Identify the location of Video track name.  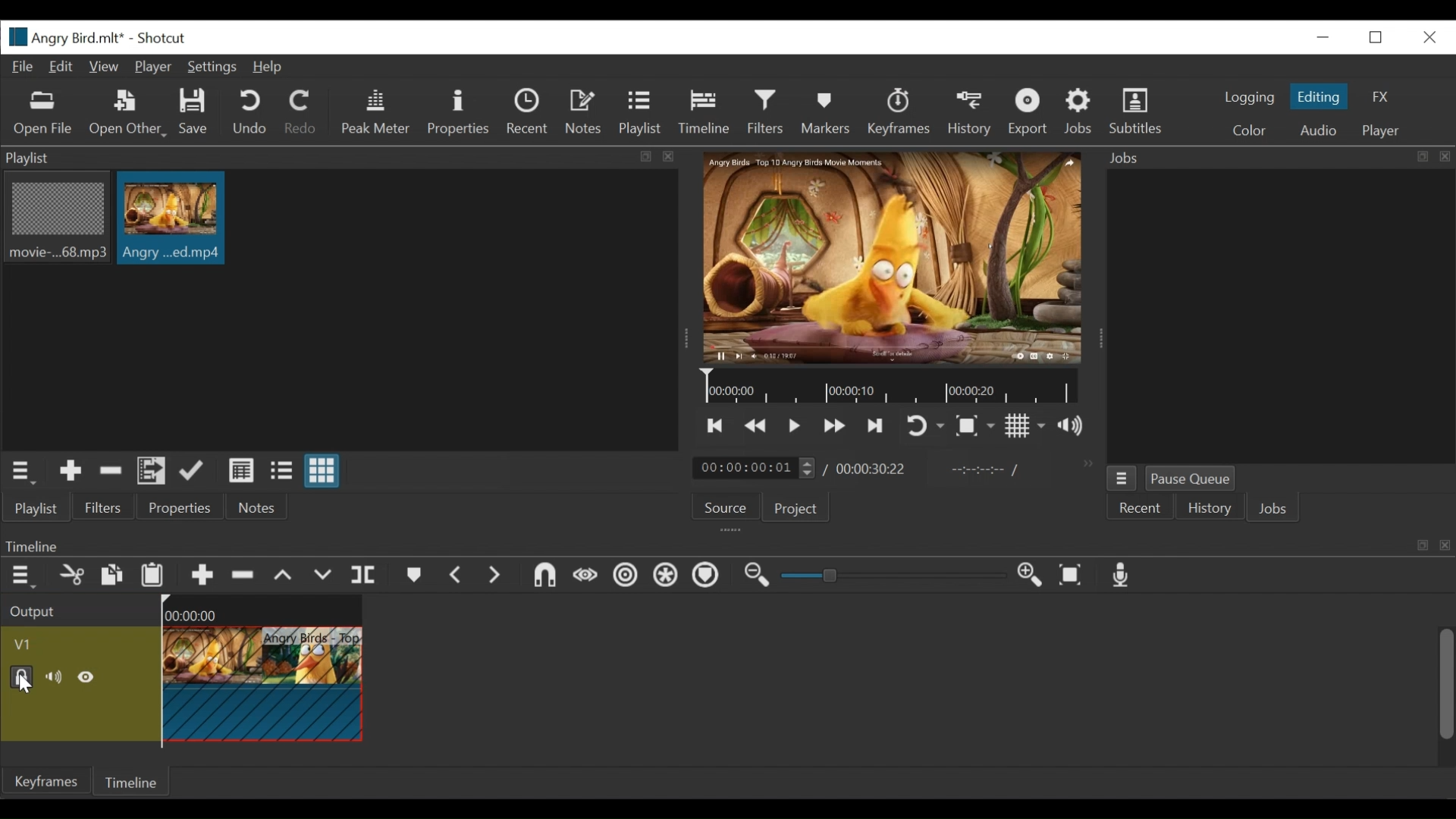
(78, 644).